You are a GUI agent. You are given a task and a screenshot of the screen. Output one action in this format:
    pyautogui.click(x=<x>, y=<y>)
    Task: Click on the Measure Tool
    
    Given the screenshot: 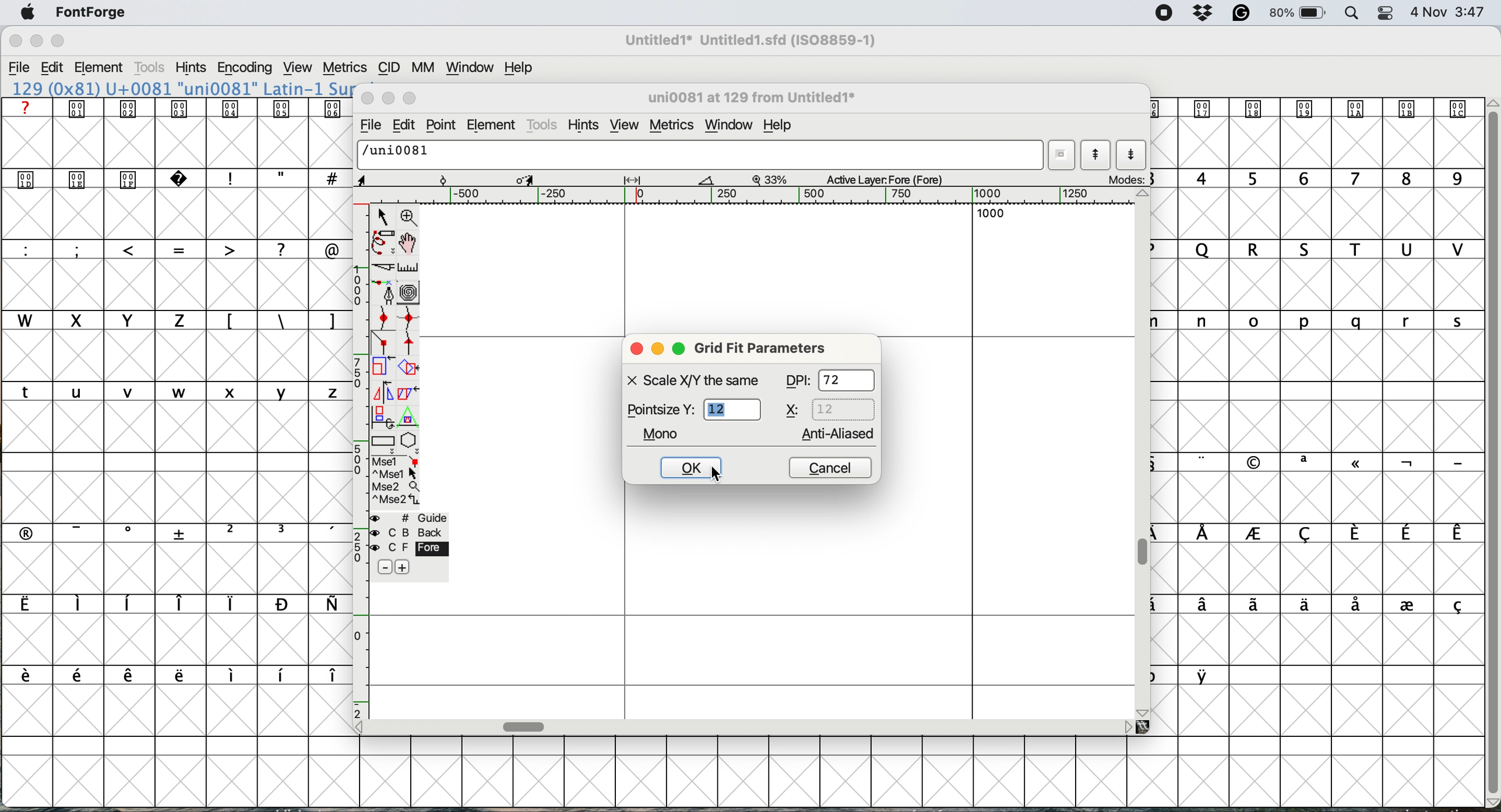 What is the action you would take?
    pyautogui.click(x=708, y=181)
    